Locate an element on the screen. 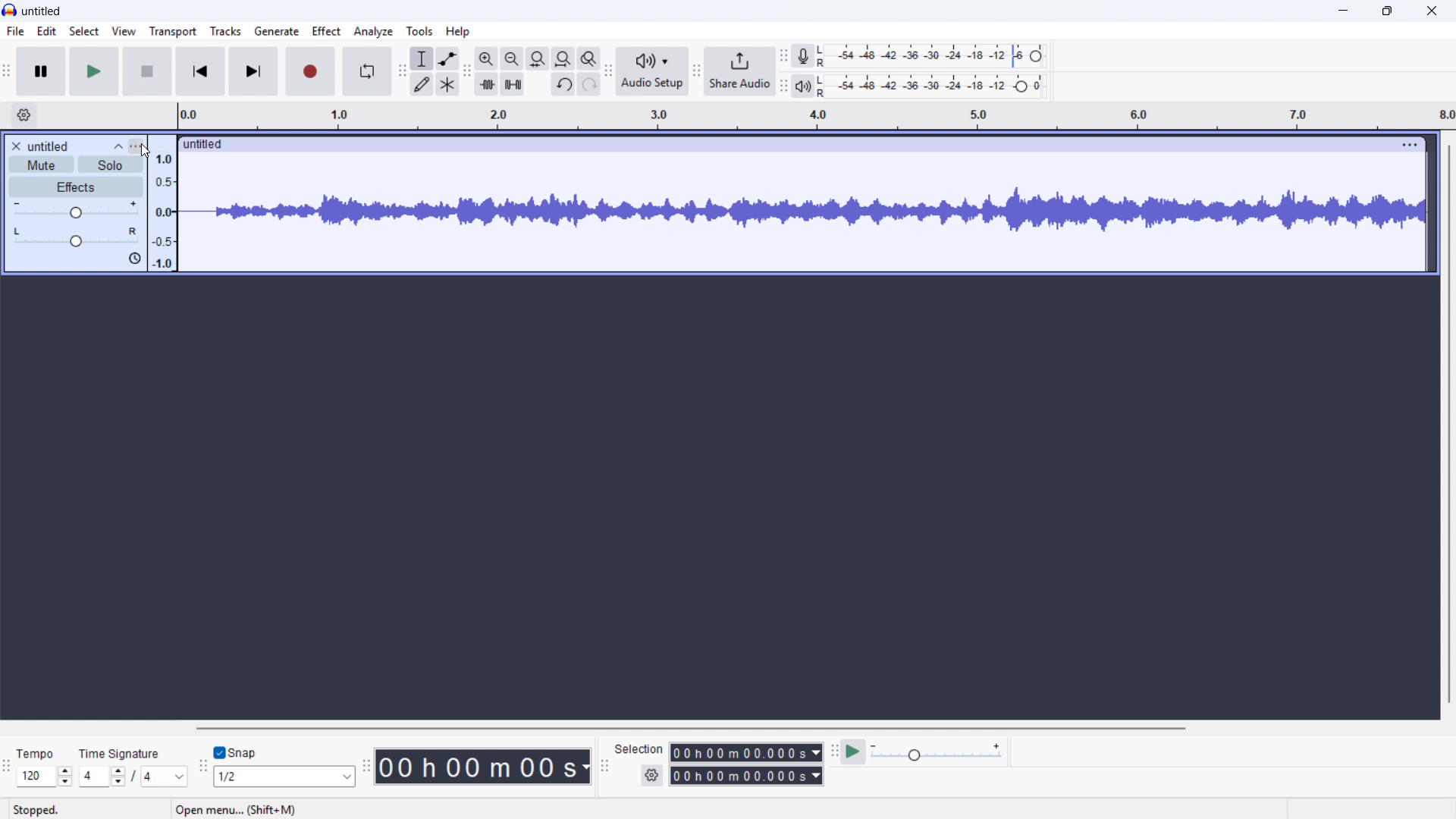 The height and width of the screenshot is (819, 1456). open menu...(shift+M) is located at coordinates (236, 810).